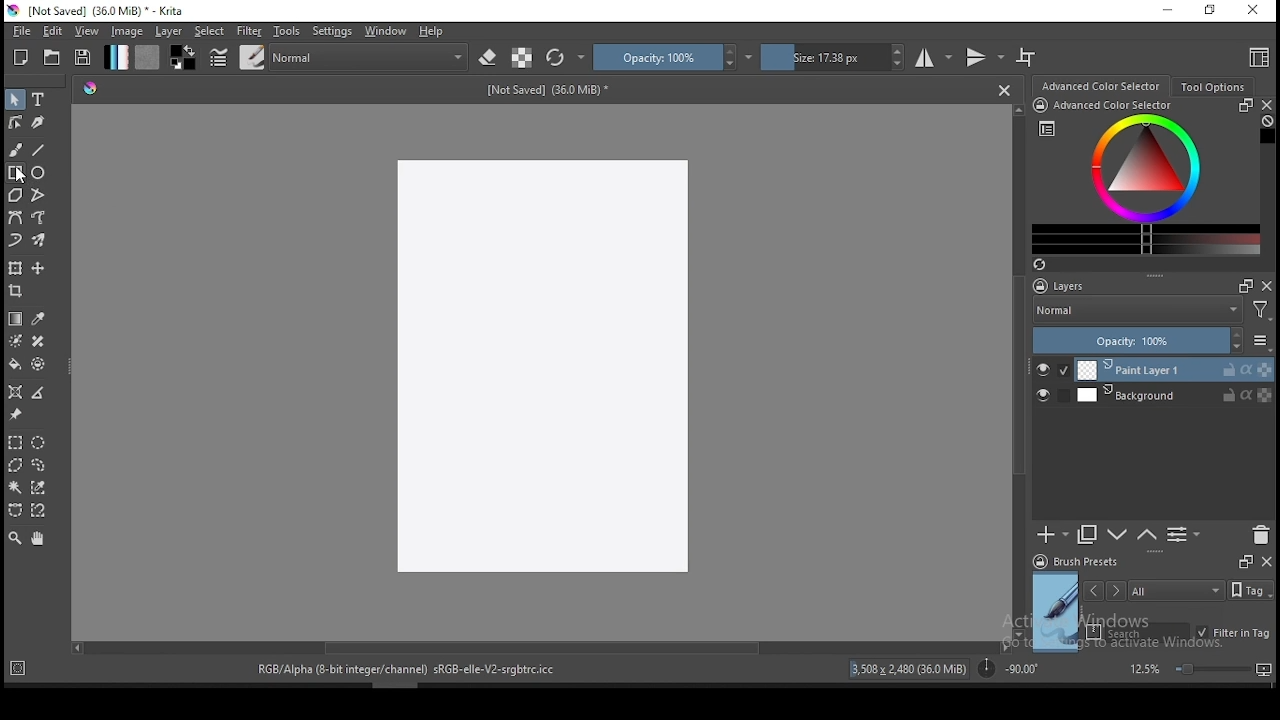 Image resolution: width=1280 pixels, height=720 pixels. What do you see at coordinates (39, 171) in the screenshot?
I see `ellipse tool` at bounding box center [39, 171].